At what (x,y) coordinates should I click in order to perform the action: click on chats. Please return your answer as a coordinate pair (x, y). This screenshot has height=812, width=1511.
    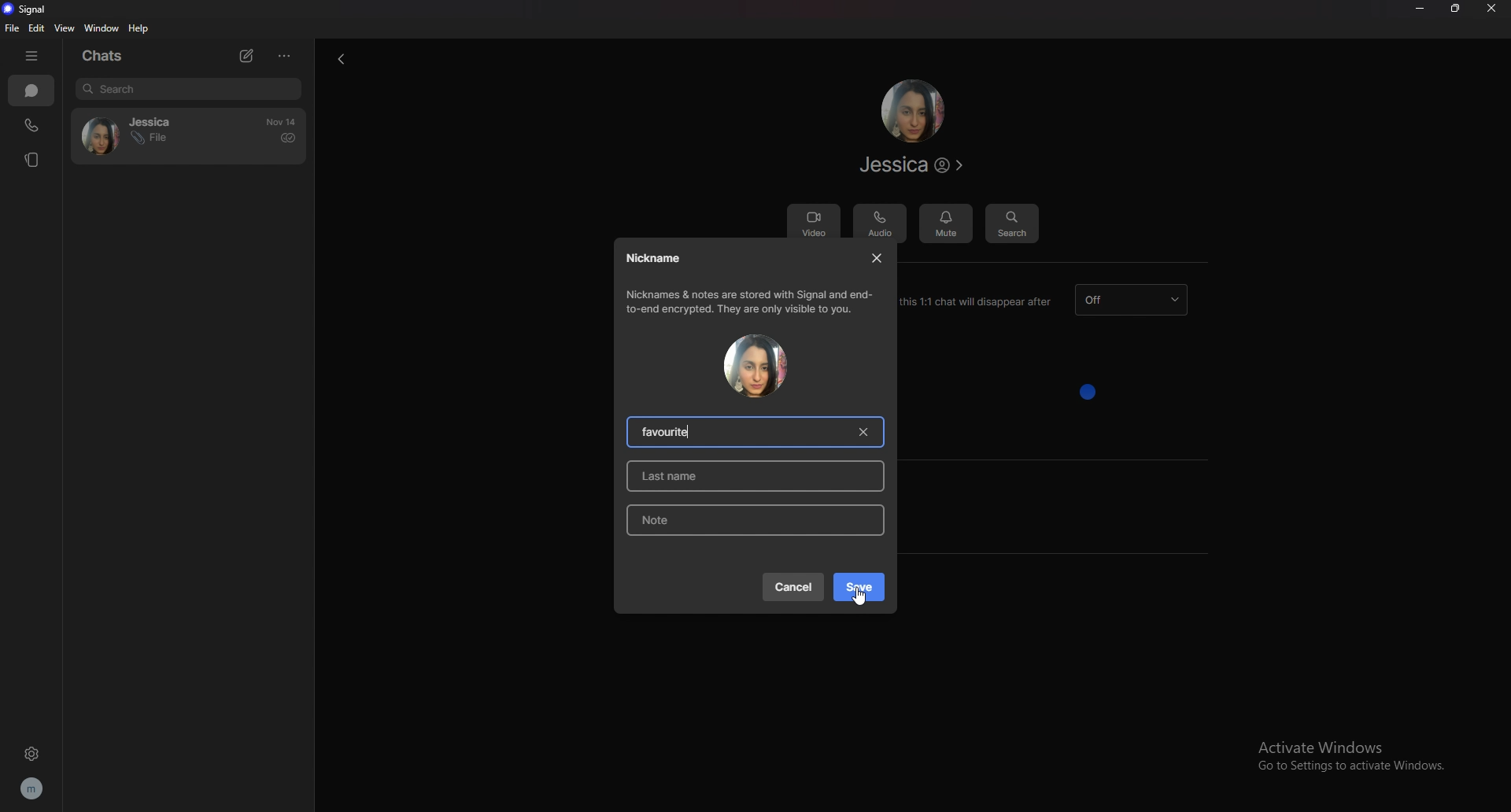
    Looking at the image, I should click on (106, 57).